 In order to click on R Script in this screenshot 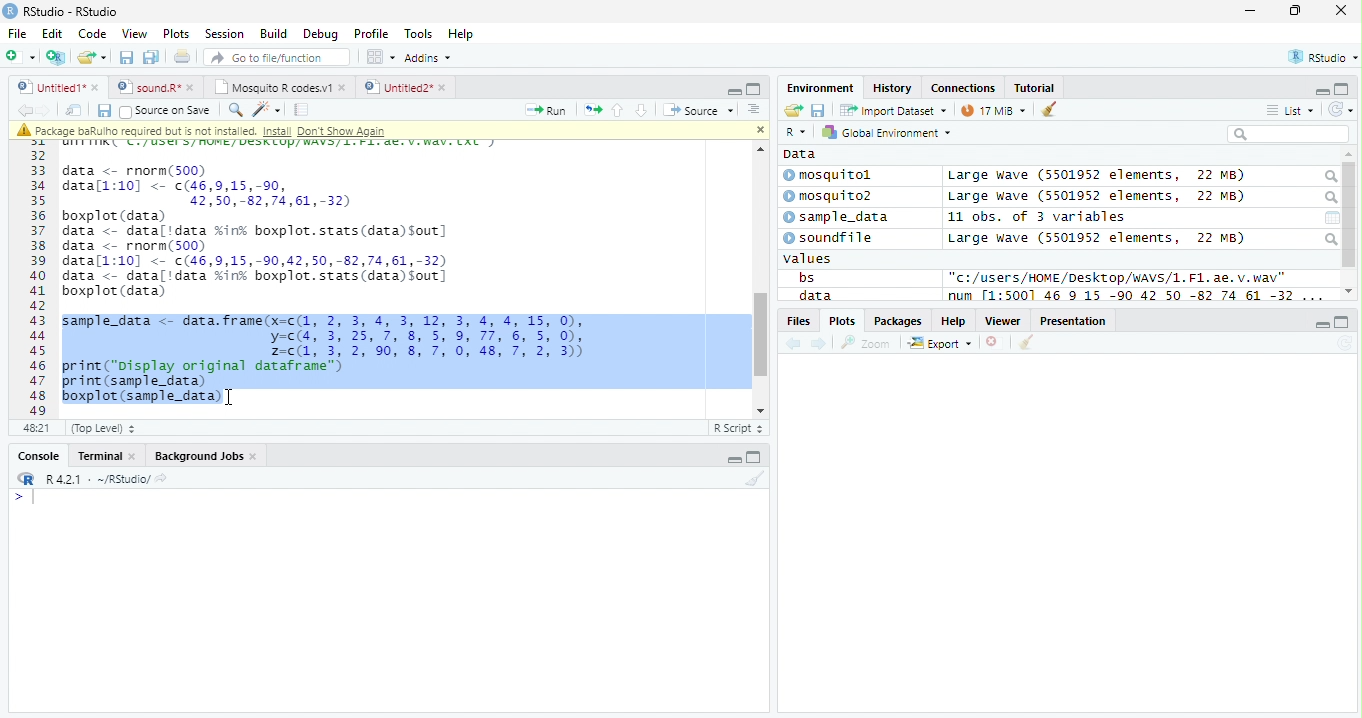, I will do `click(739, 427)`.